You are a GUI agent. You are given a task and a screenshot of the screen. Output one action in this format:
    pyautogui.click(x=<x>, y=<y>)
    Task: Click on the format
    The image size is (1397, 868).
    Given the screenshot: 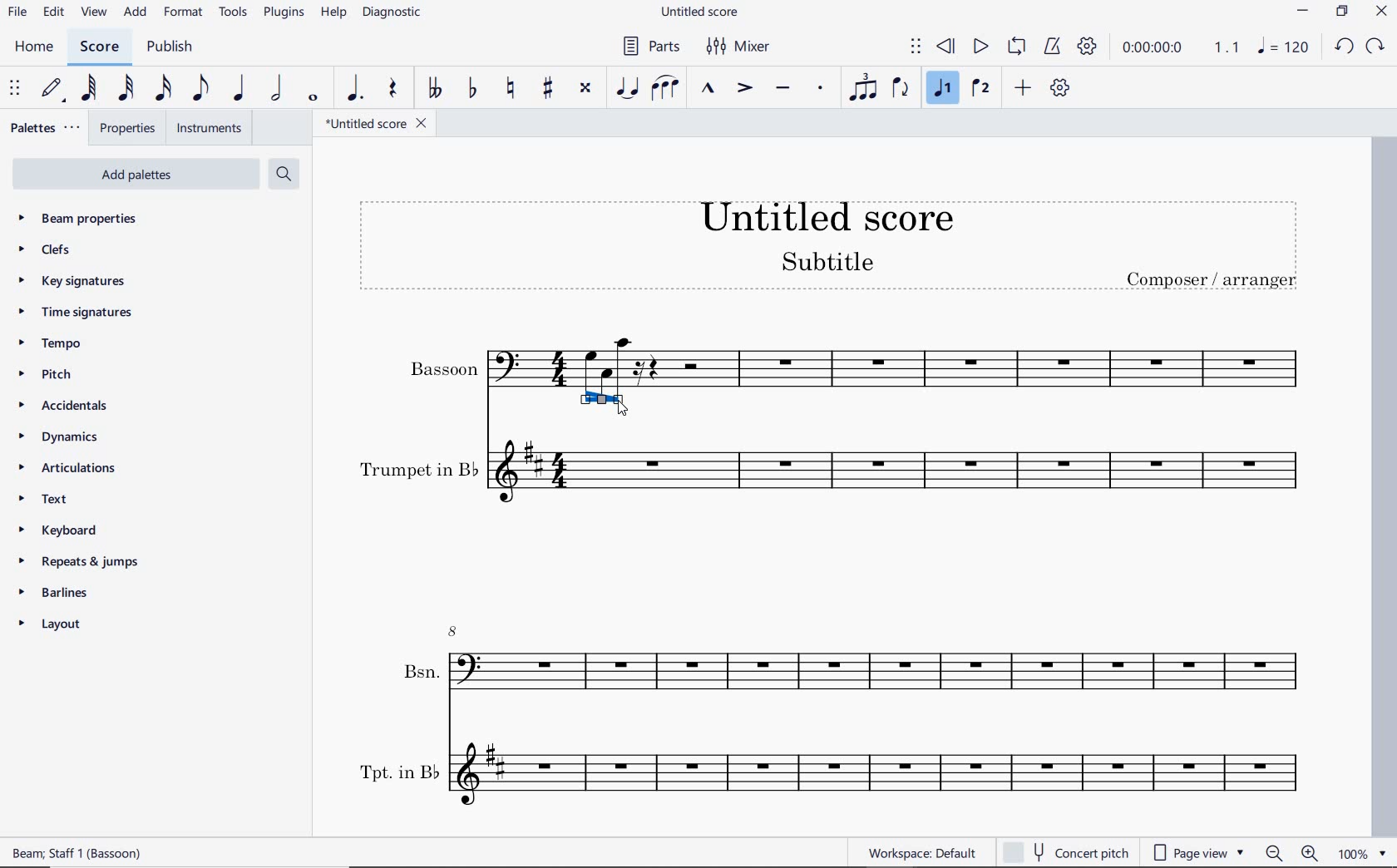 What is the action you would take?
    pyautogui.click(x=185, y=13)
    